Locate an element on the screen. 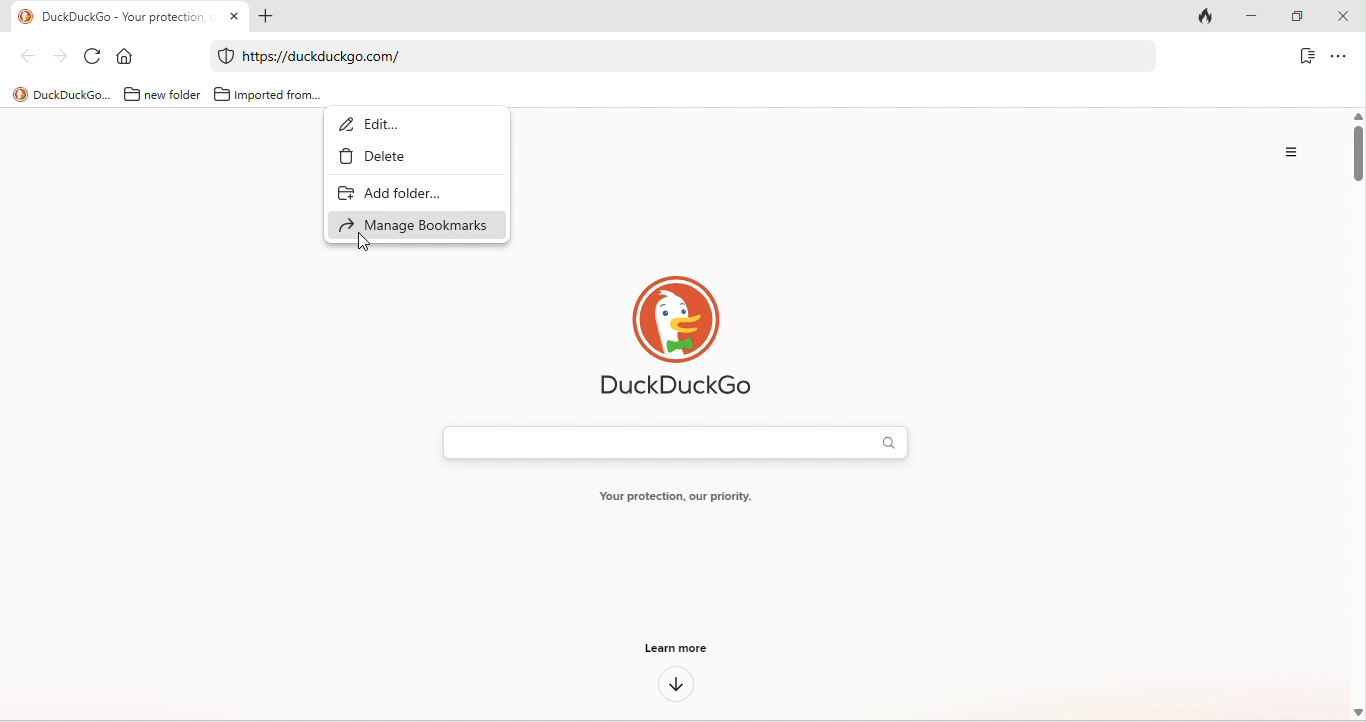 Image resolution: width=1366 pixels, height=722 pixels. add folder is located at coordinates (388, 192).